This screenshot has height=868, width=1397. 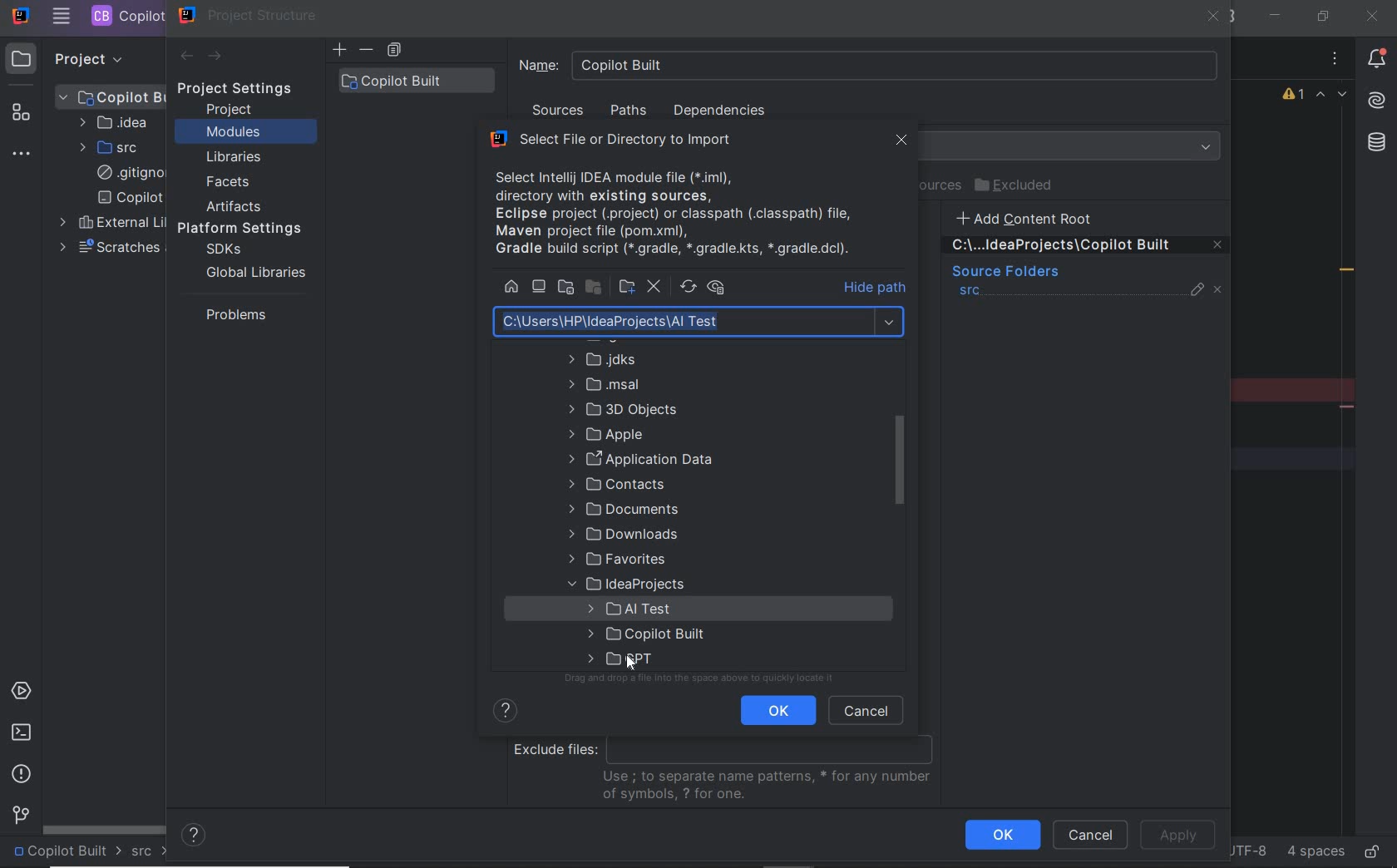 I want to click on ok, so click(x=1002, y=835).